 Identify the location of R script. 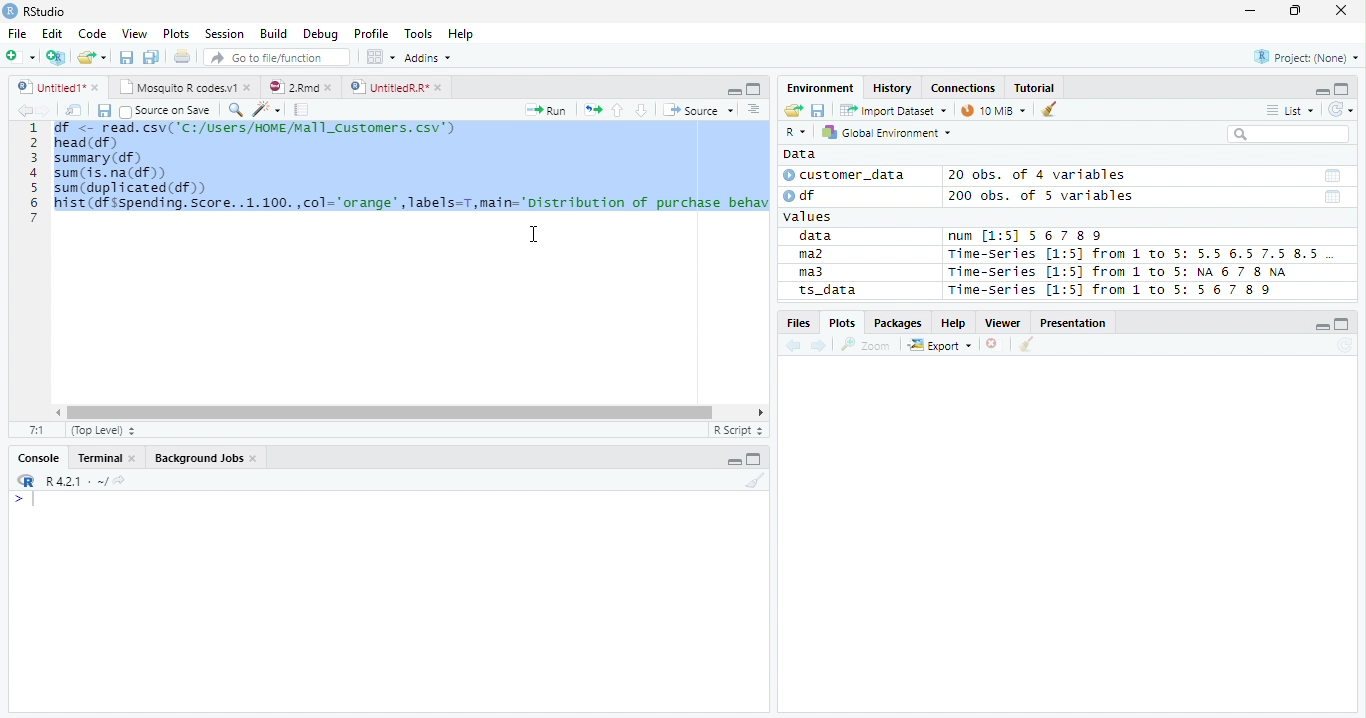
(737, 430).